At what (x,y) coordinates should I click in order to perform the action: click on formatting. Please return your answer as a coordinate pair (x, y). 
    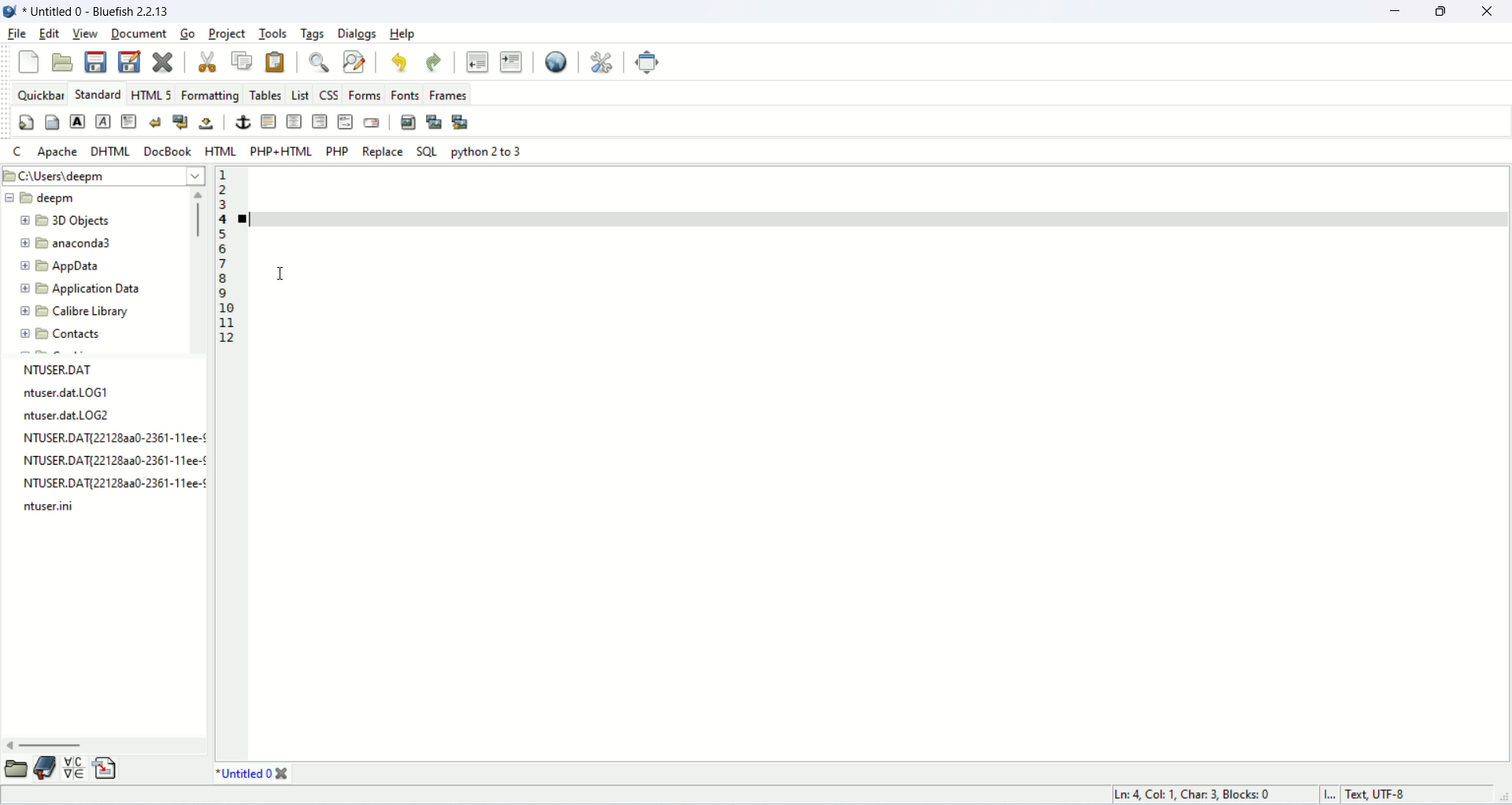
    Looking at the image, I should click on (213, 95).